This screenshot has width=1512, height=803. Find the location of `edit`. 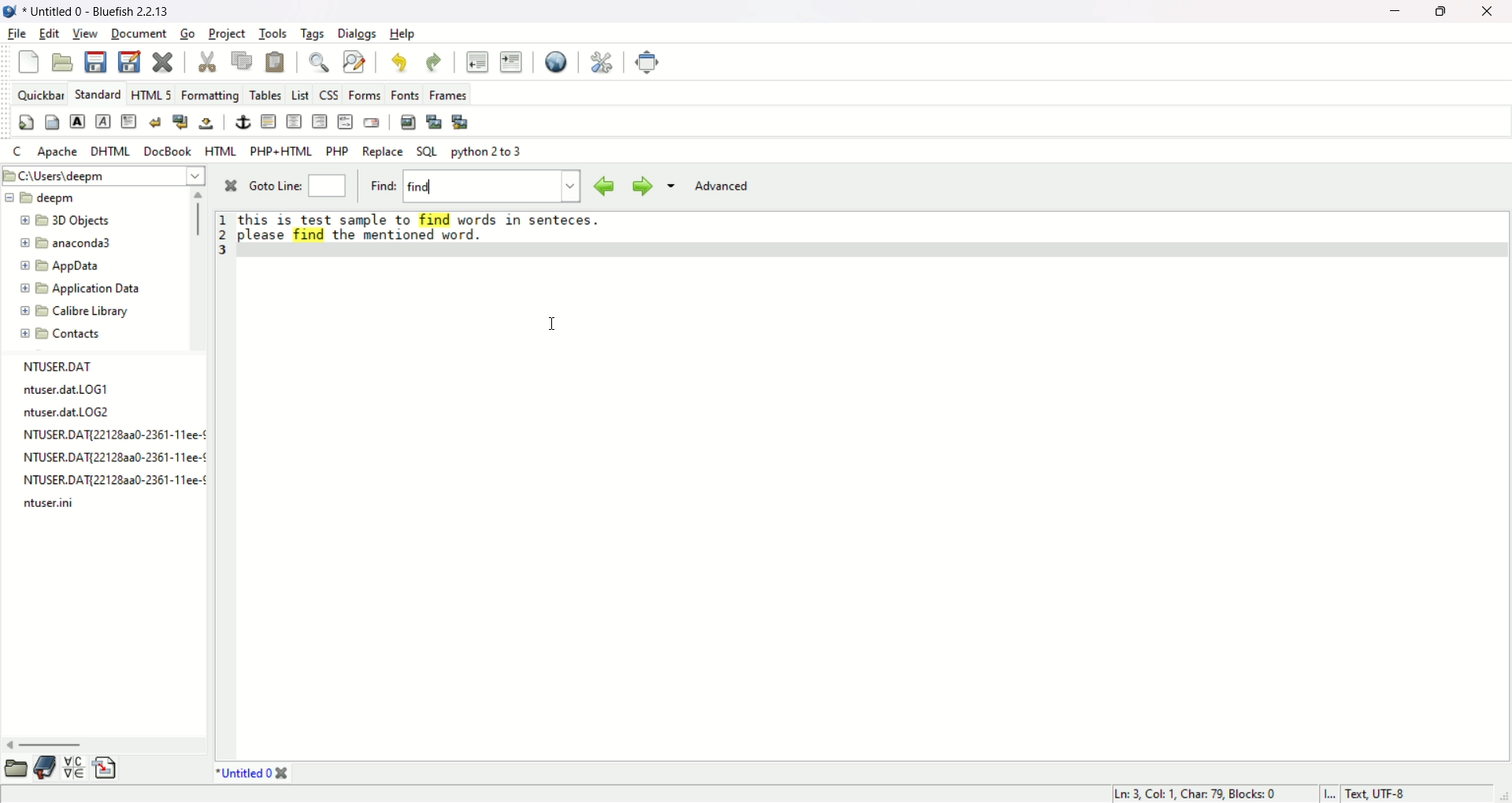

edit is located at coordinates (50, 31).